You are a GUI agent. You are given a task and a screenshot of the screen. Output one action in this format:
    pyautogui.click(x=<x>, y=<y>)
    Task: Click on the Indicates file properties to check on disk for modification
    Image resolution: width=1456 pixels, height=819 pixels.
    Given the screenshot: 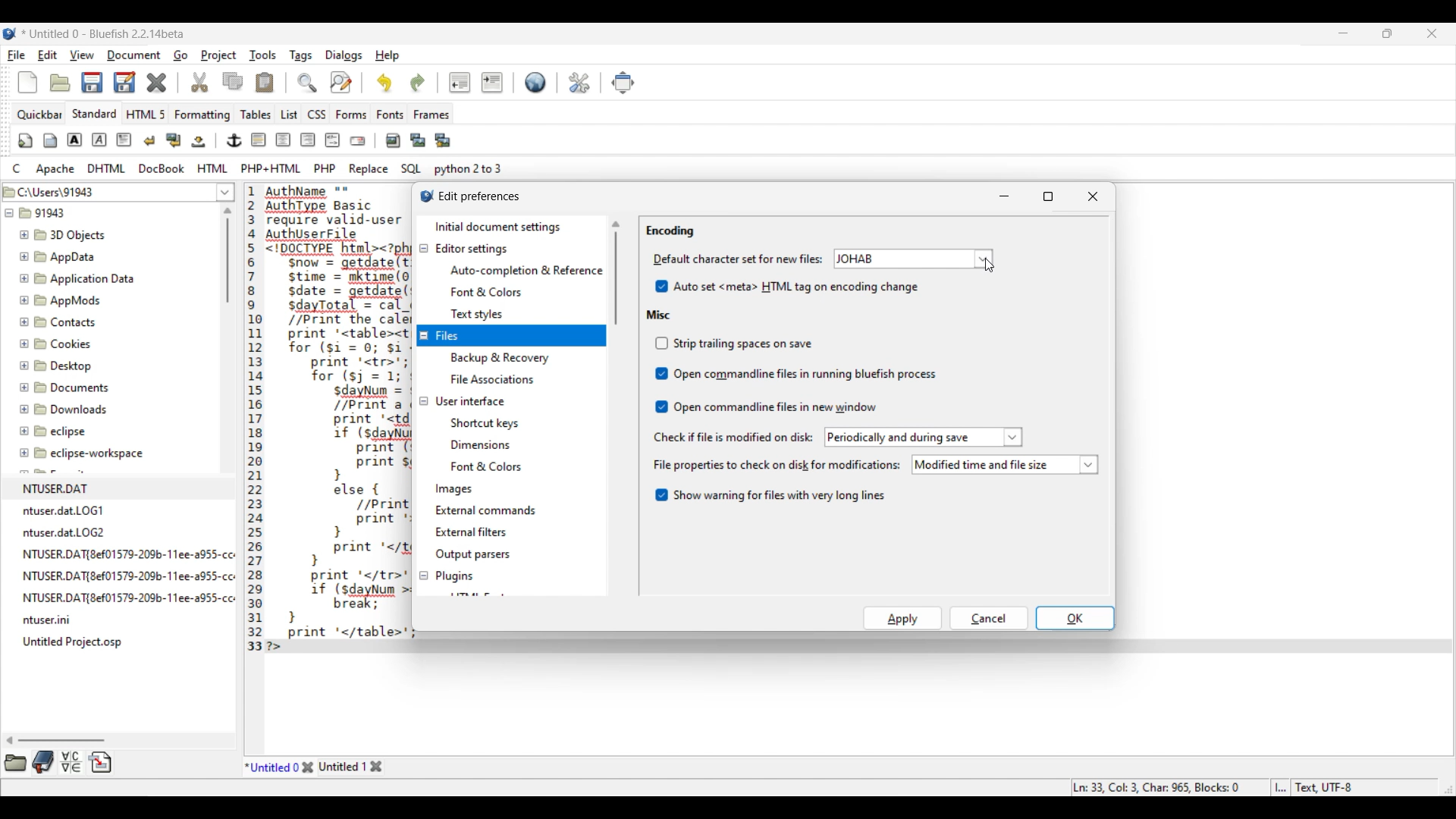 What is the action you would take?
    pyautogui.click(x=777, y=466)
    